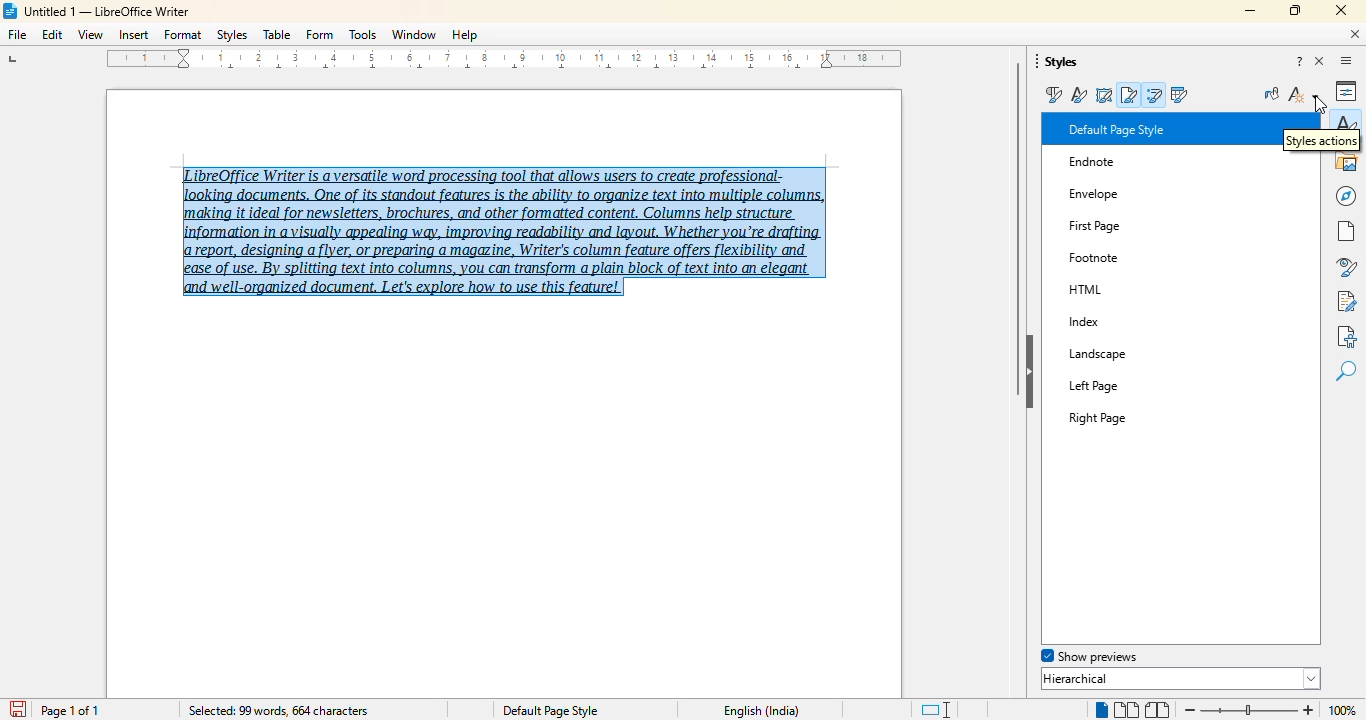 The width and height of the screenshot is (1366, 720). Describe the element at coordinates (320, 34) in the screenshot. I see `form` at that location.